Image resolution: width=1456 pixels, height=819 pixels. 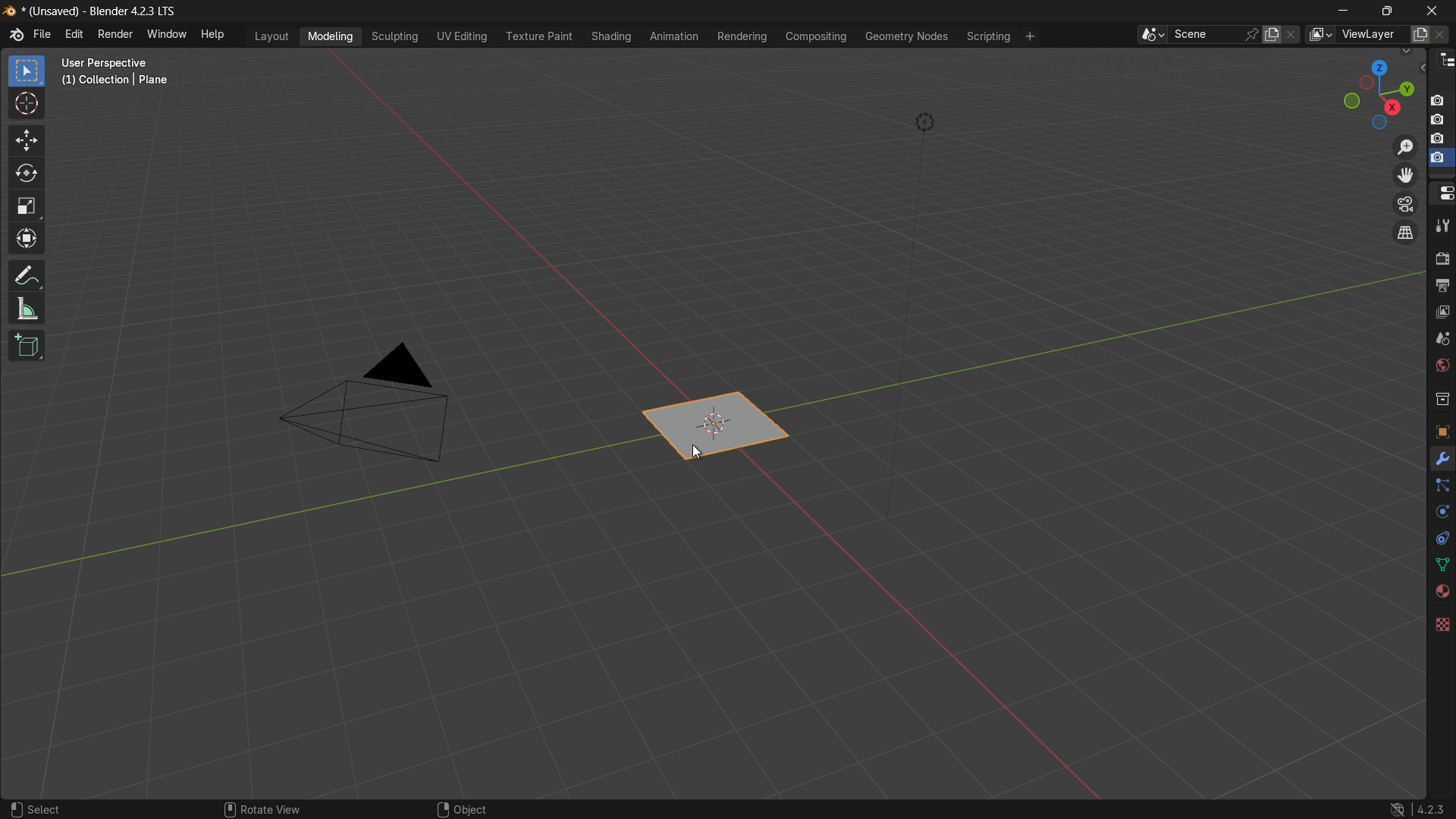 What do you see at coordinates (27, 105) in the screenshot?
I see `cursor` at bounding box center [27, 105].